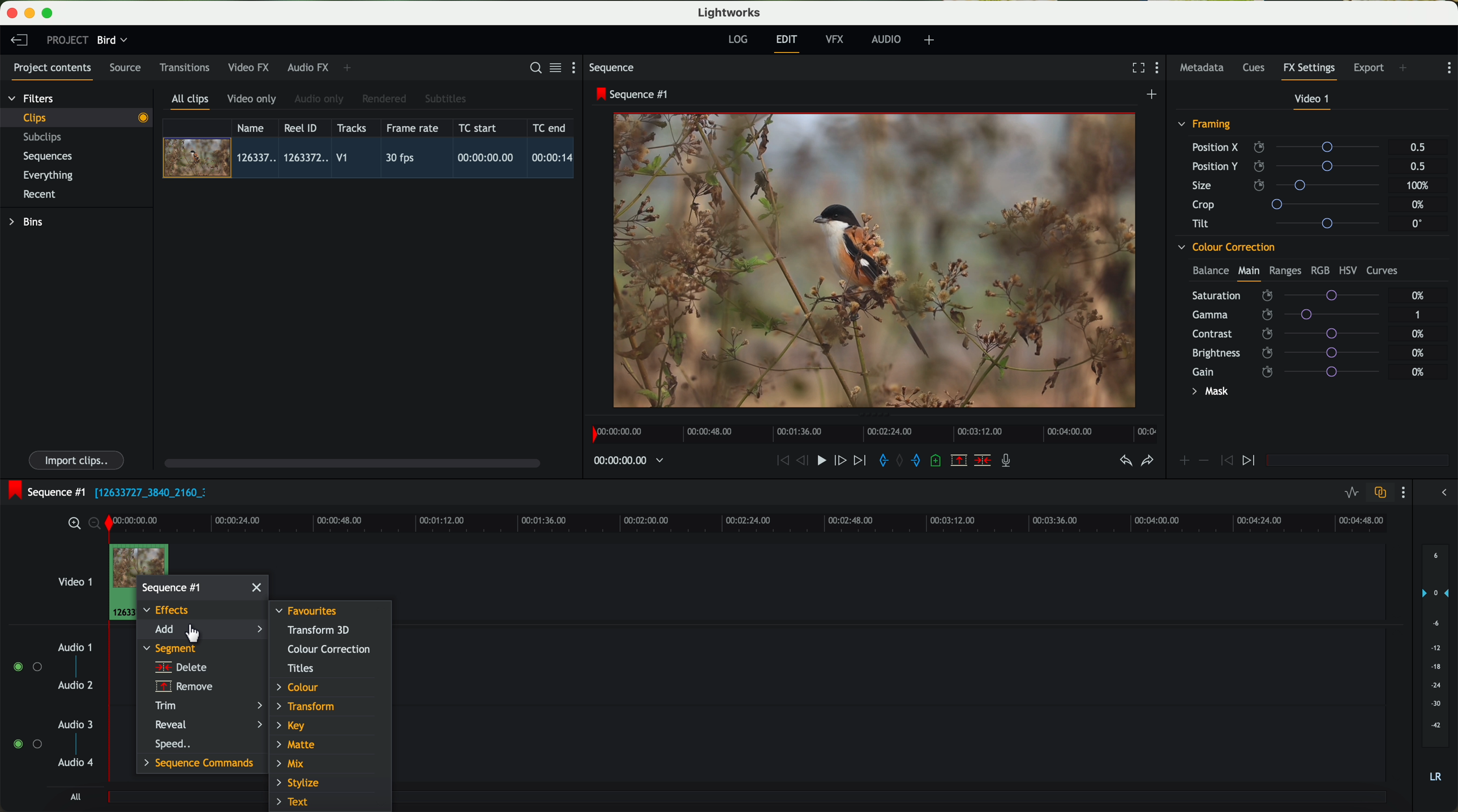 Image resolution: width=1458 pixels, height=812 pixels. Describe the element at coordinates (48, 157) in the screenshot. I see `sequences` at that location.